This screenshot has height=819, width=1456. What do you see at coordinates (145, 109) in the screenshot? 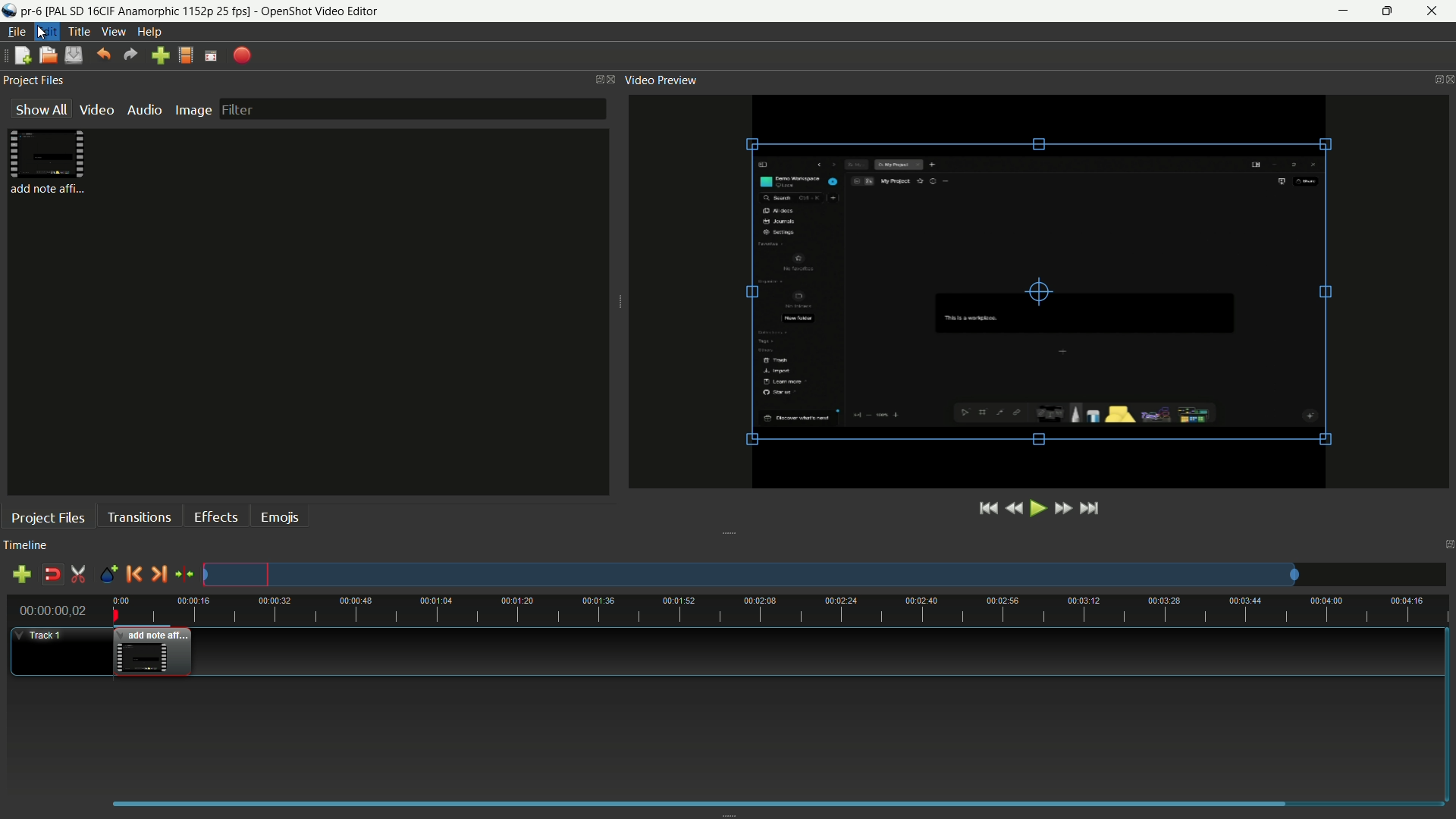
I see `audio` at bounding box center [145, 109].